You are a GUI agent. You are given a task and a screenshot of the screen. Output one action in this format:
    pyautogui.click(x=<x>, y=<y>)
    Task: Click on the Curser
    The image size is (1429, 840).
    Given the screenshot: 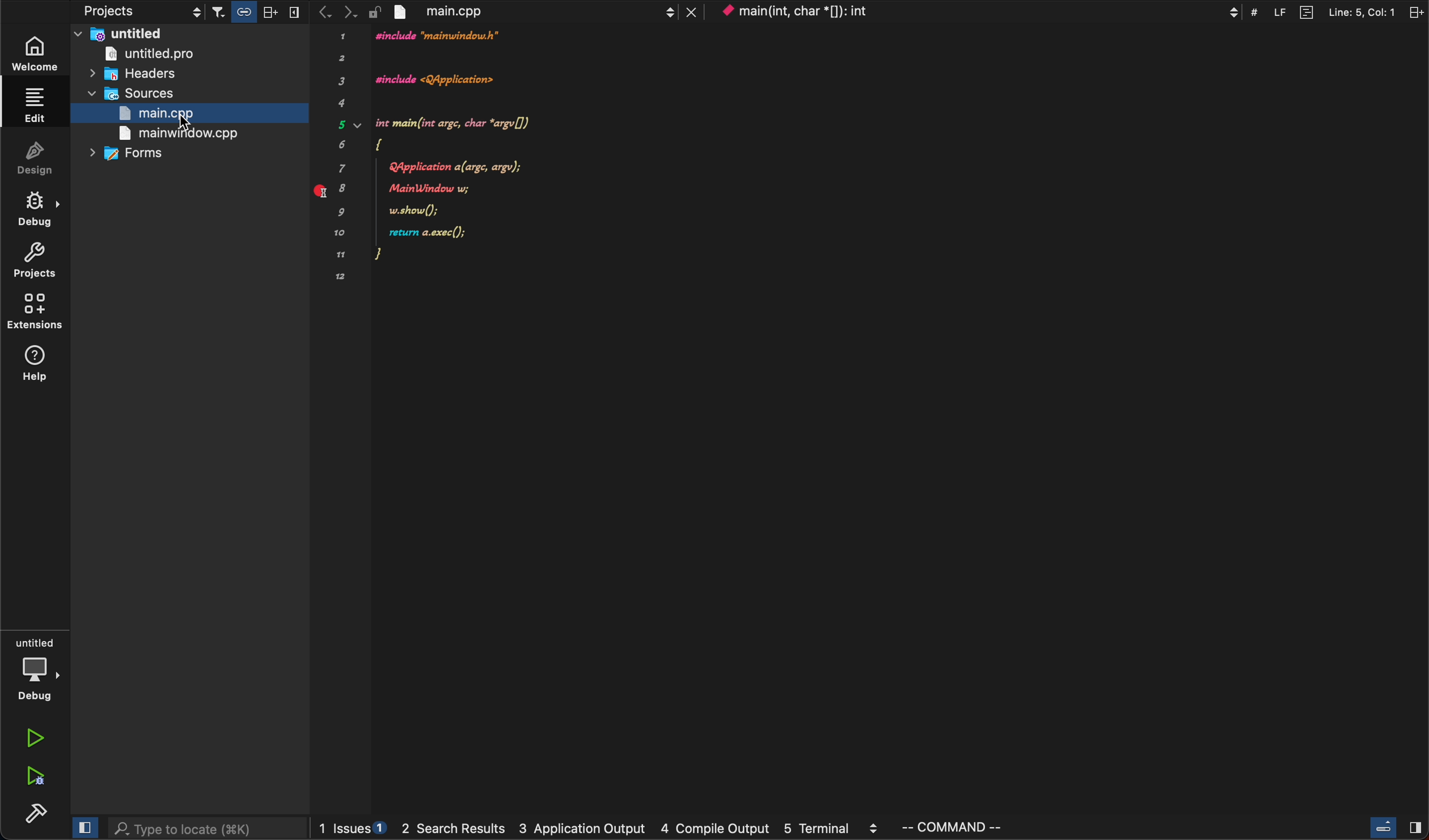 What is the action you would take?
    pyautogui.click(x=183, y=121)
    